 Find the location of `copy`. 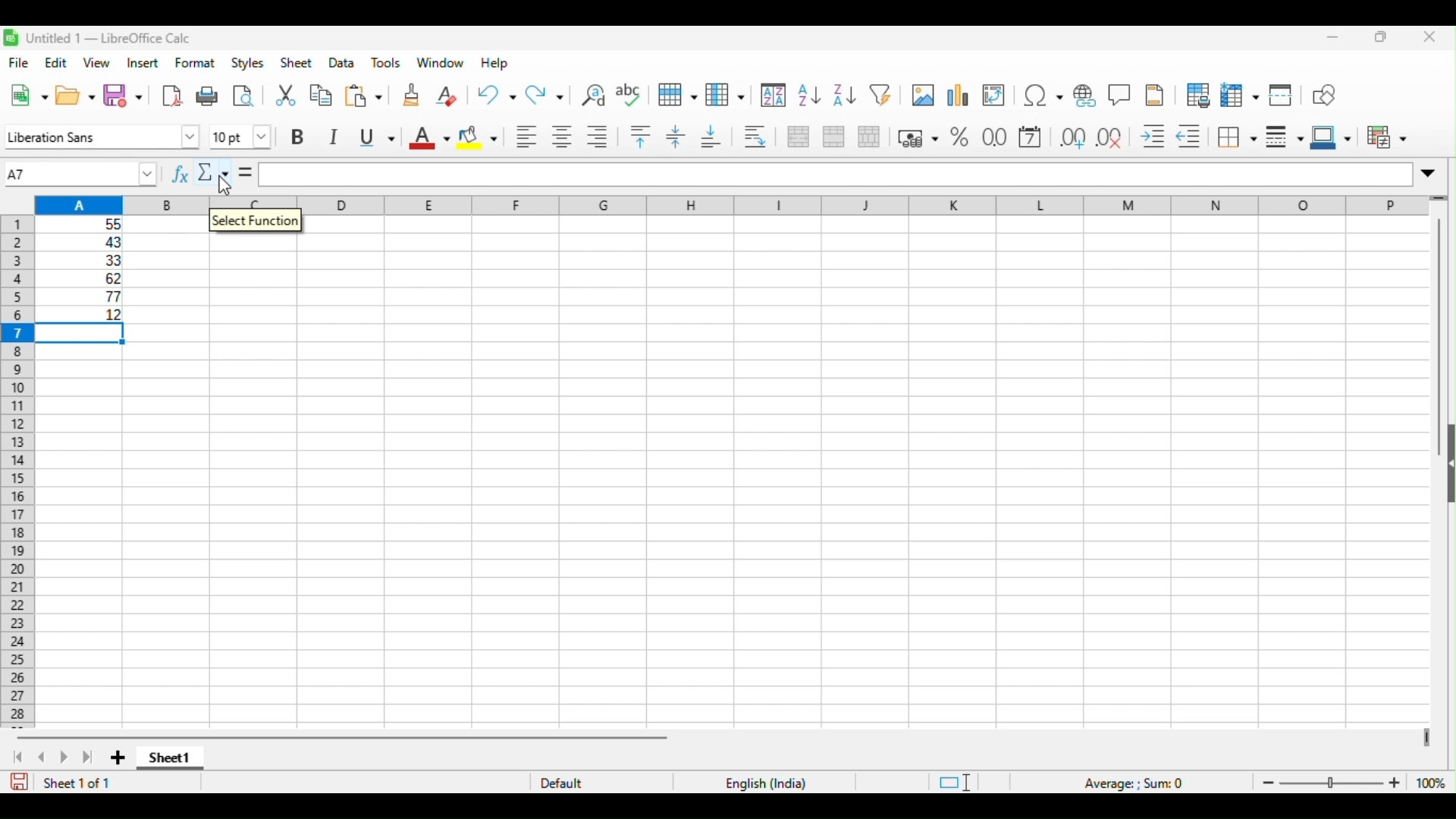

copy is located at coordinates (320, 96).